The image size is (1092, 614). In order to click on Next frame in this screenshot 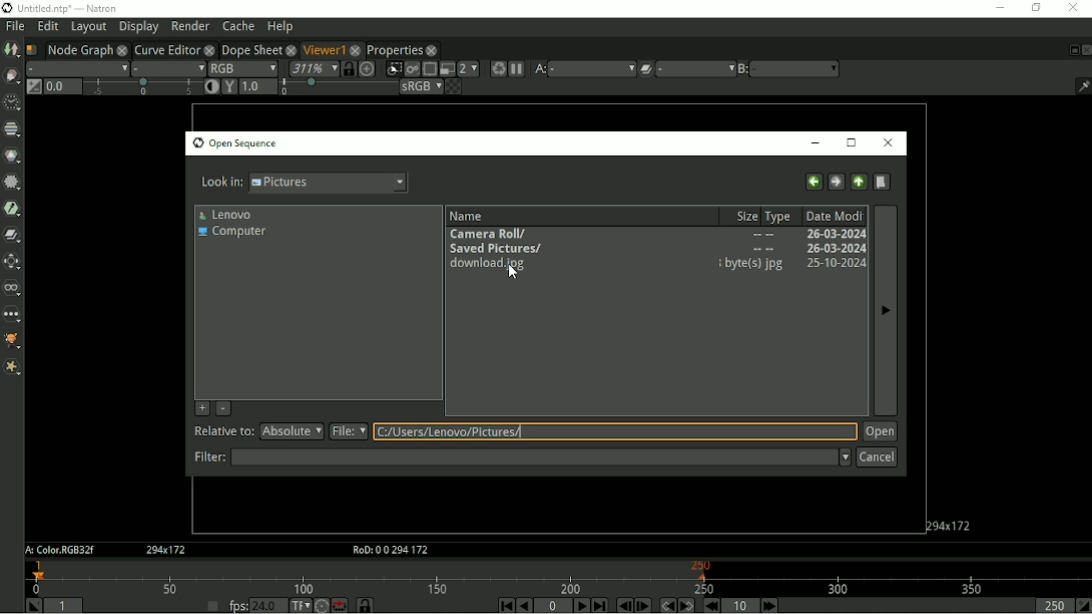, I will do `click(644, 605)`.